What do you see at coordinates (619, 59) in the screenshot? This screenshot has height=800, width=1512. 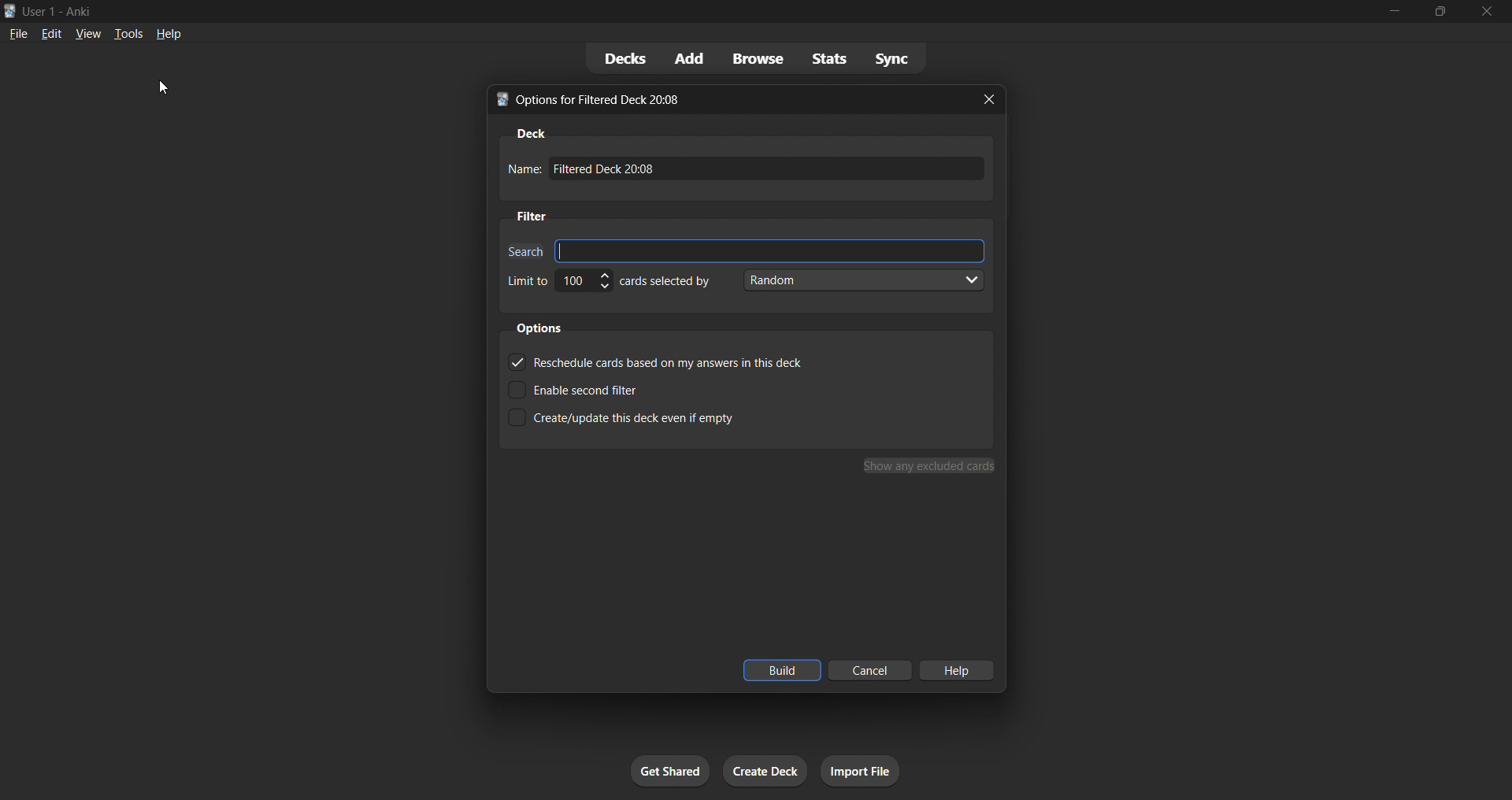 I see `decks` at bounding box center [619, 59].